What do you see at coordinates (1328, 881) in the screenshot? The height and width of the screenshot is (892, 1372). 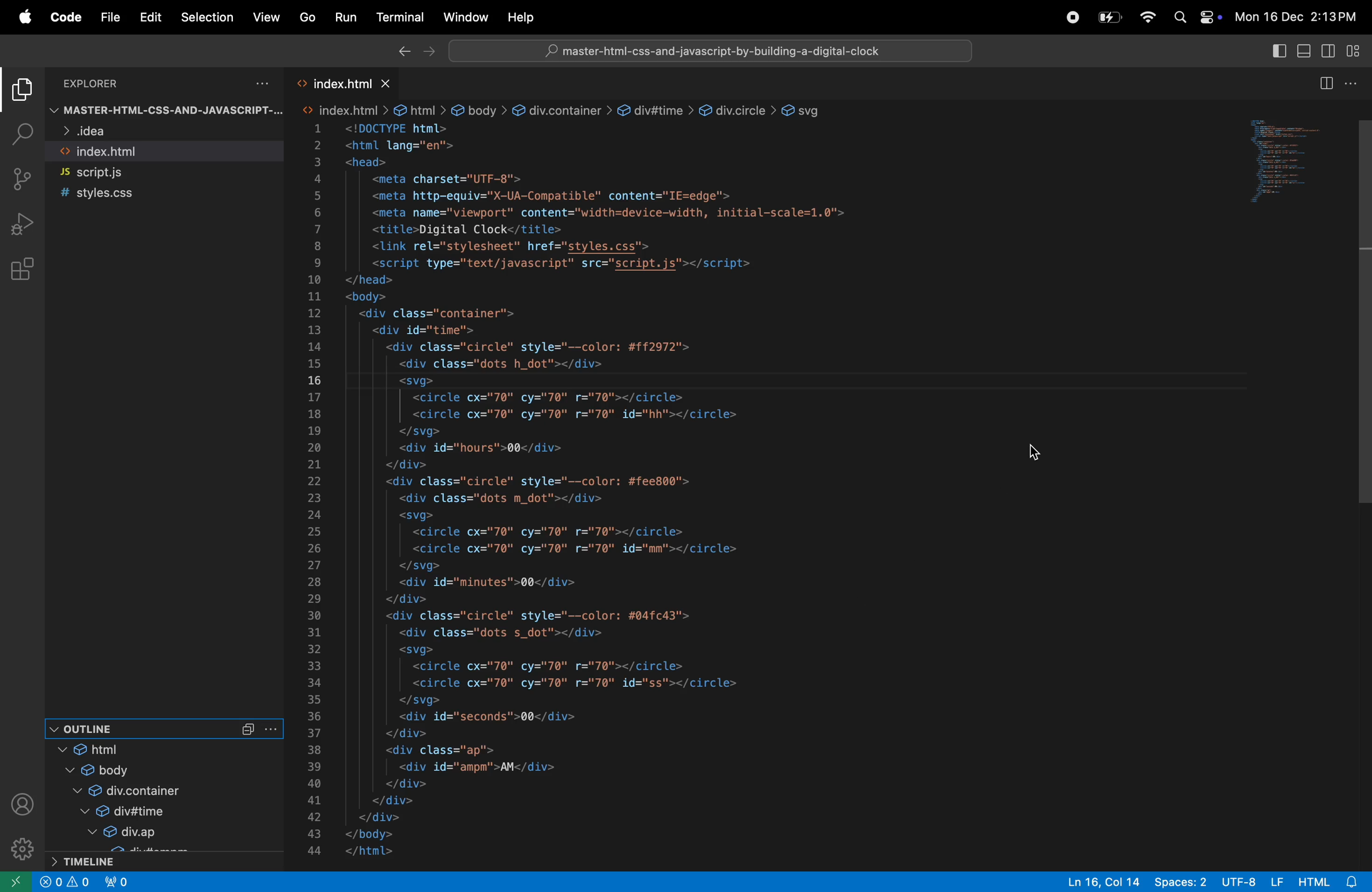 I see `html alert` at bounding box center [1328, 881].